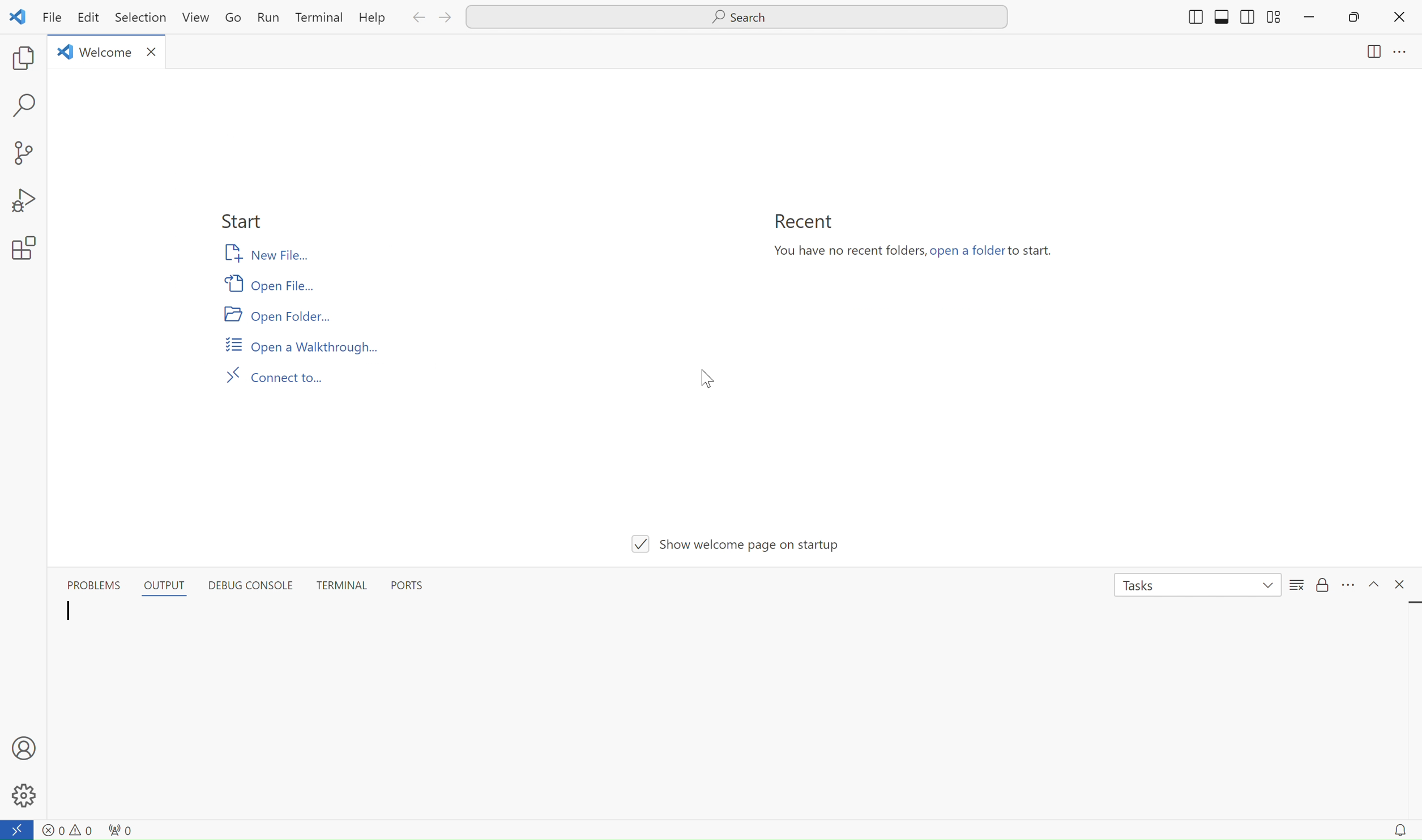 The width and height of the screenshot is (1422, 840). I want to click on ports, so click(415, 589).